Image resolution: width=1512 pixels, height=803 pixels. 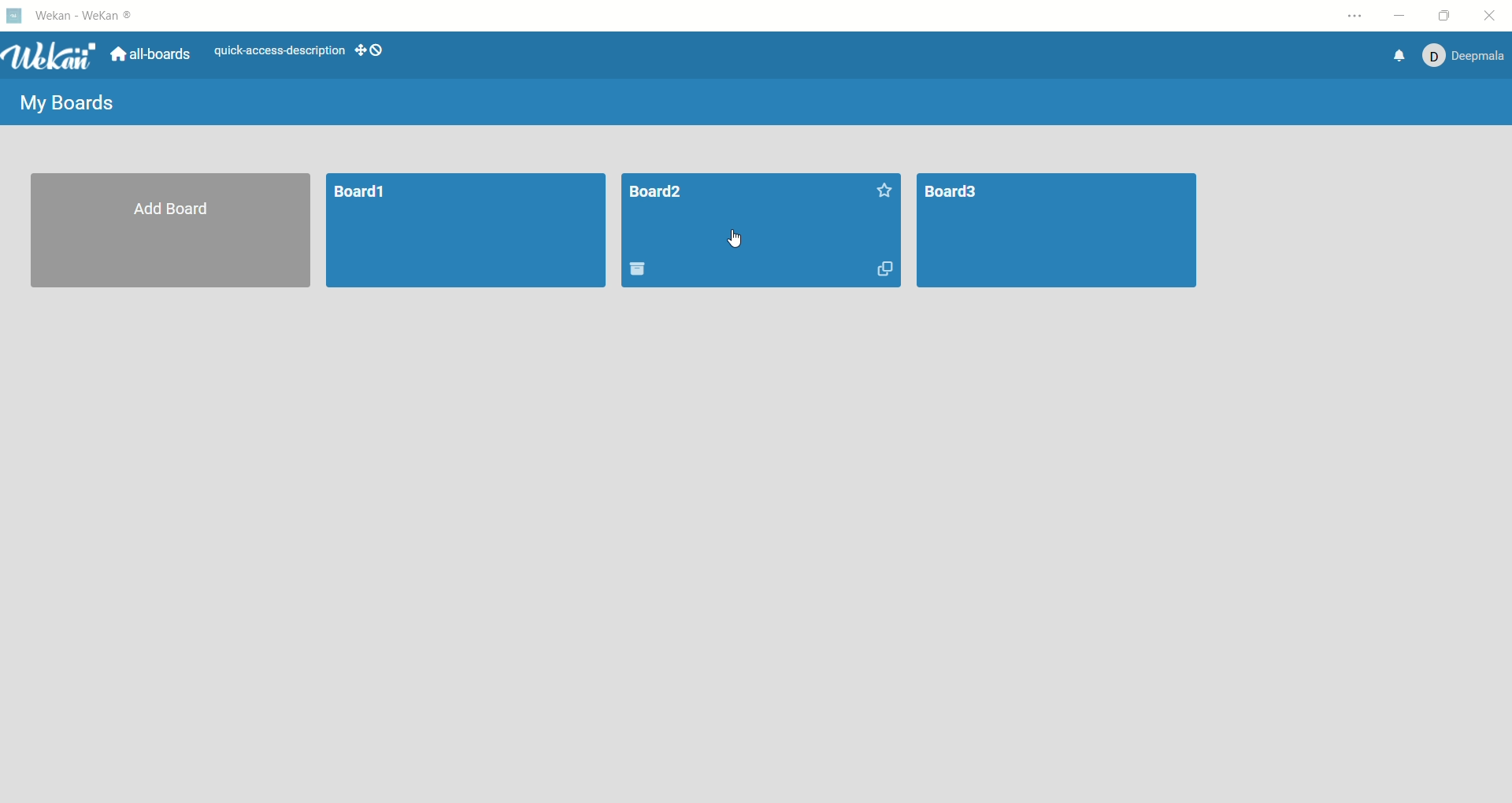 What do you see at coordinates (1488, 15) in the screenshot?
I see `close` at bounding box center [1488, 15].